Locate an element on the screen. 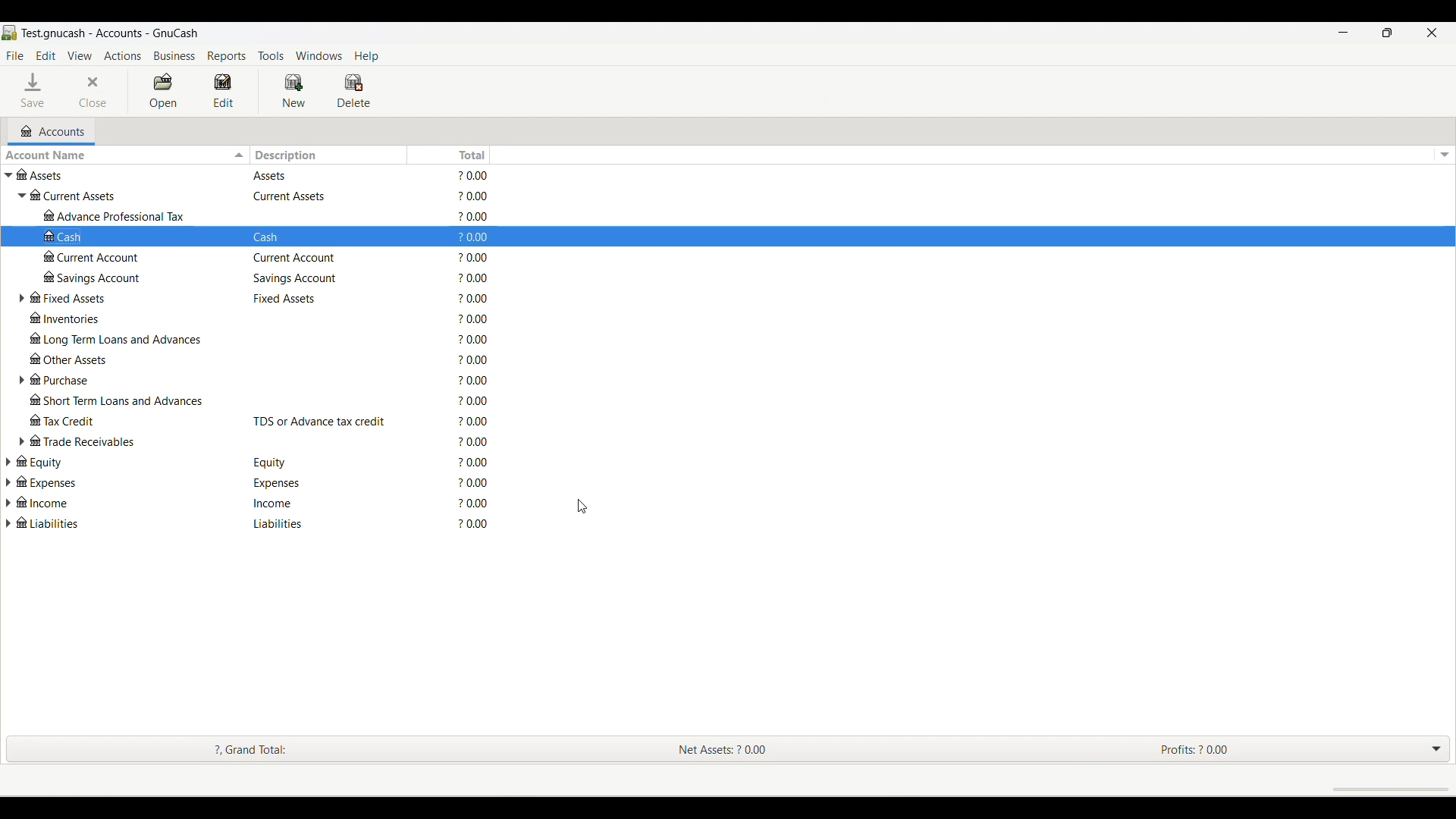  Show/Hide columns in the current tab is located at coordinates (1445, 155).